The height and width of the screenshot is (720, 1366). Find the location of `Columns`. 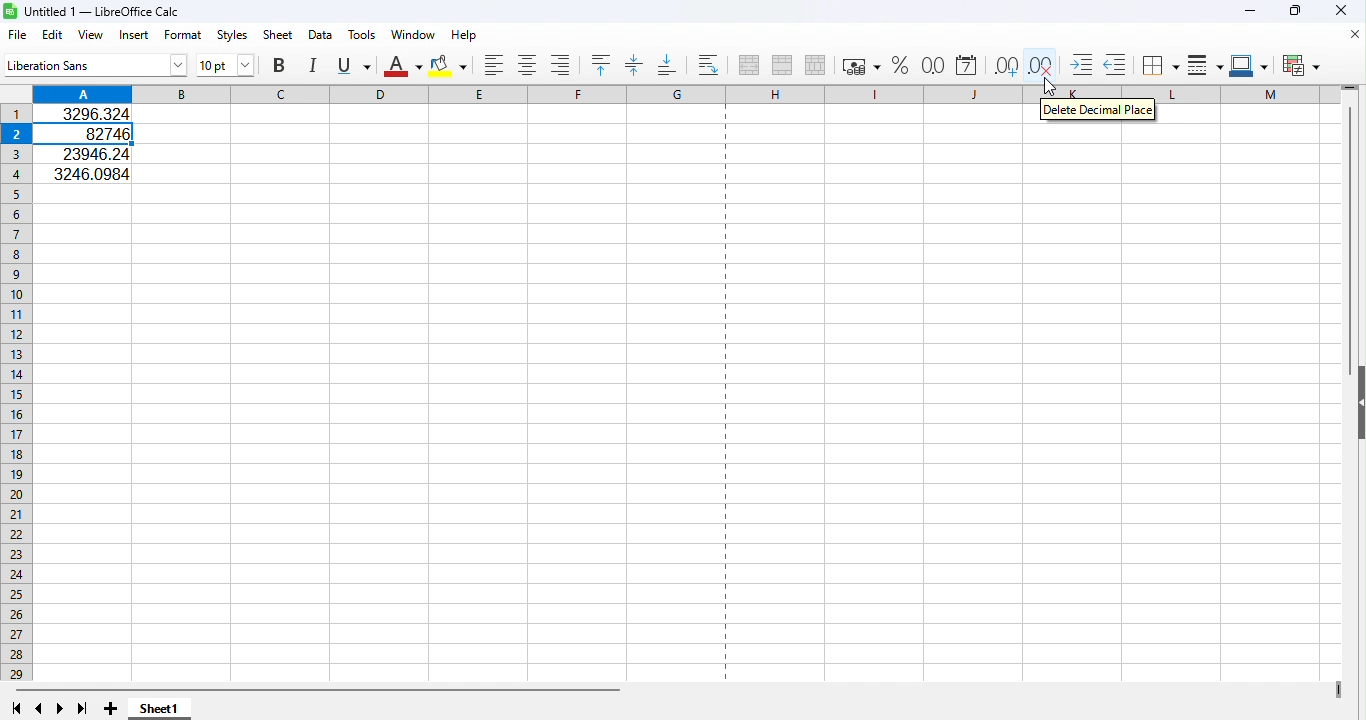

Columns is located at coordinates (507, 94).